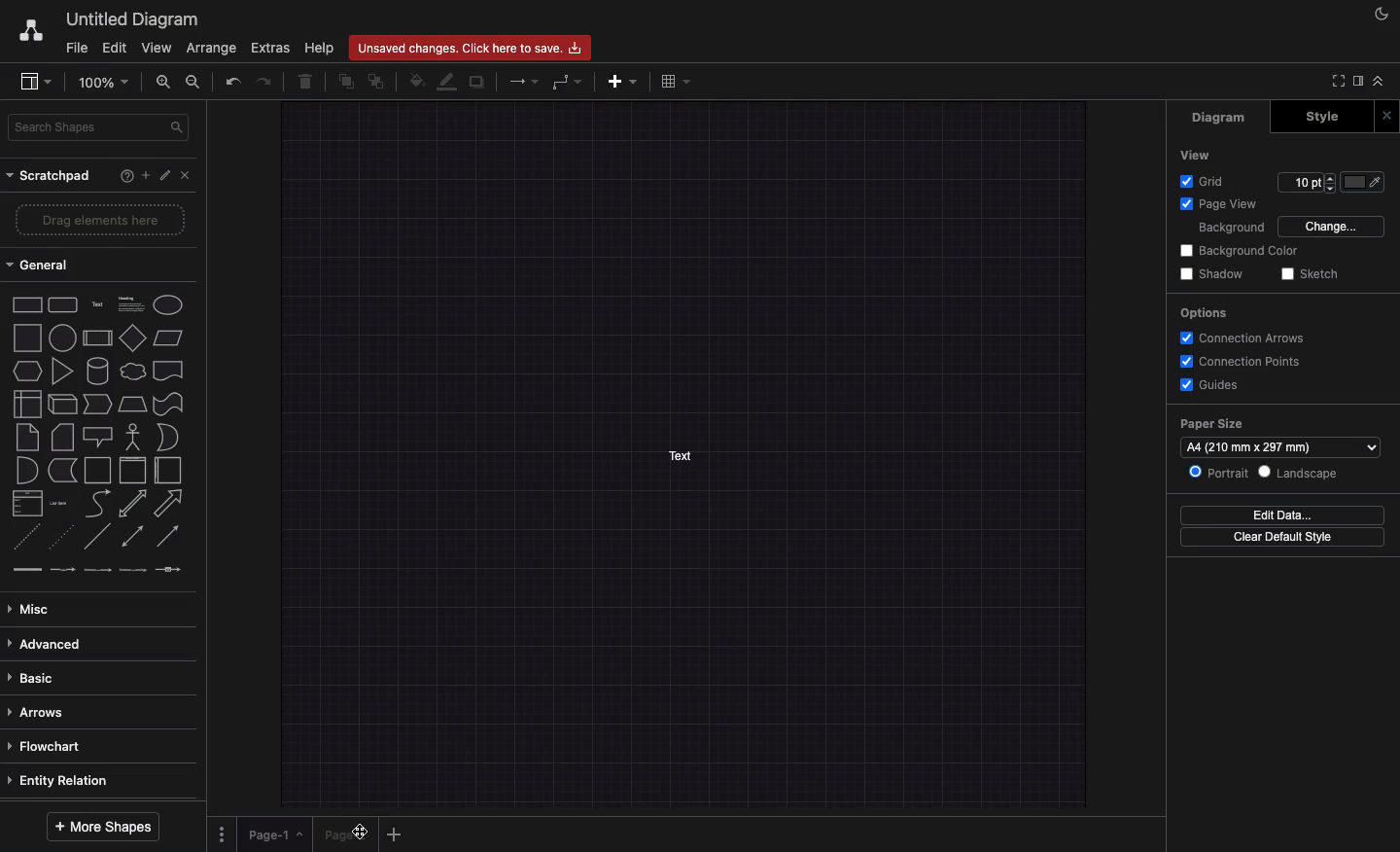  What do you see at coordinates (680, 83) in the screenshot?
I see `Table` at bounding box center [680, 83].